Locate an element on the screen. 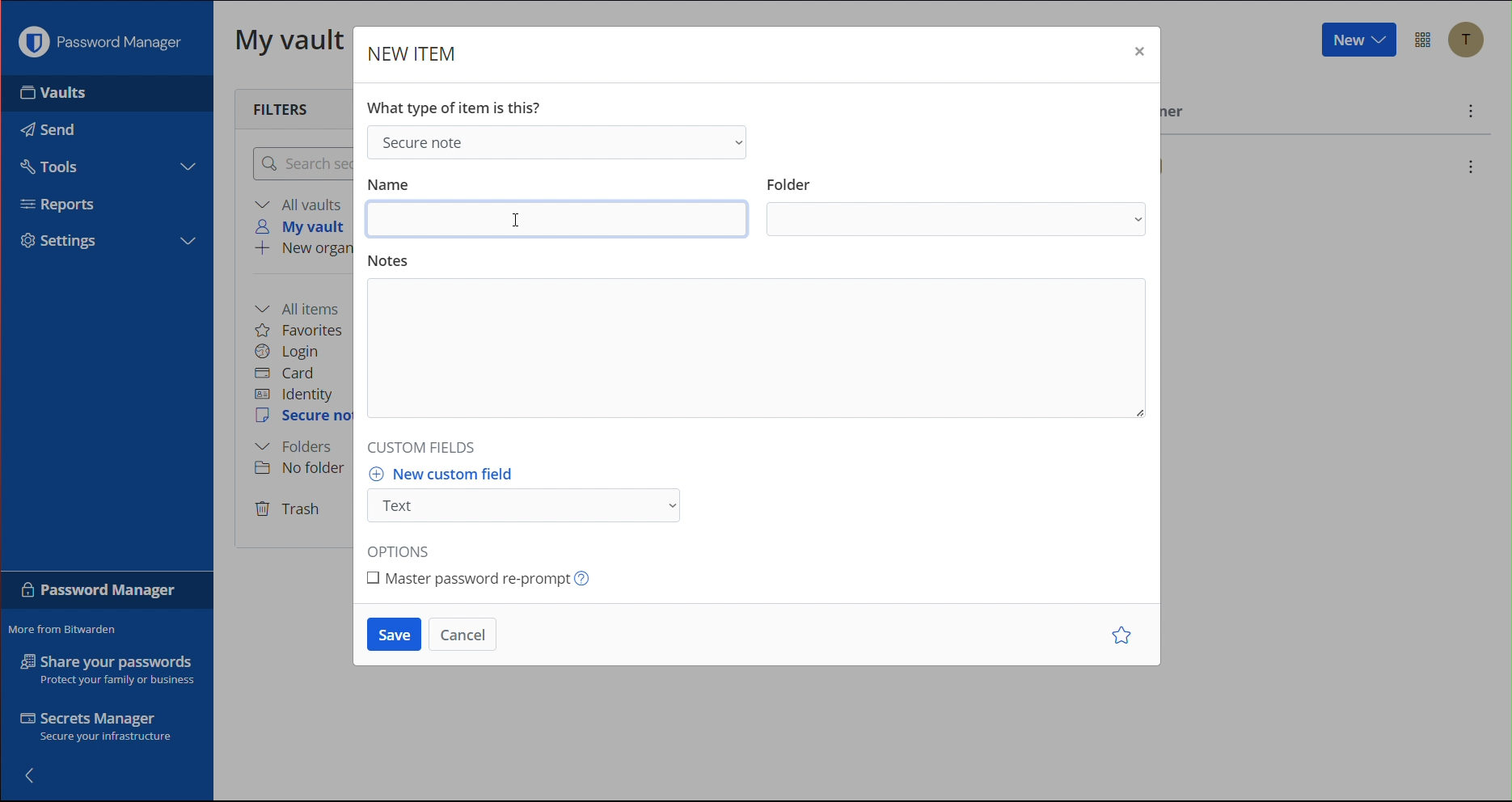  Custom Fields is located at coordinates (426, 444).